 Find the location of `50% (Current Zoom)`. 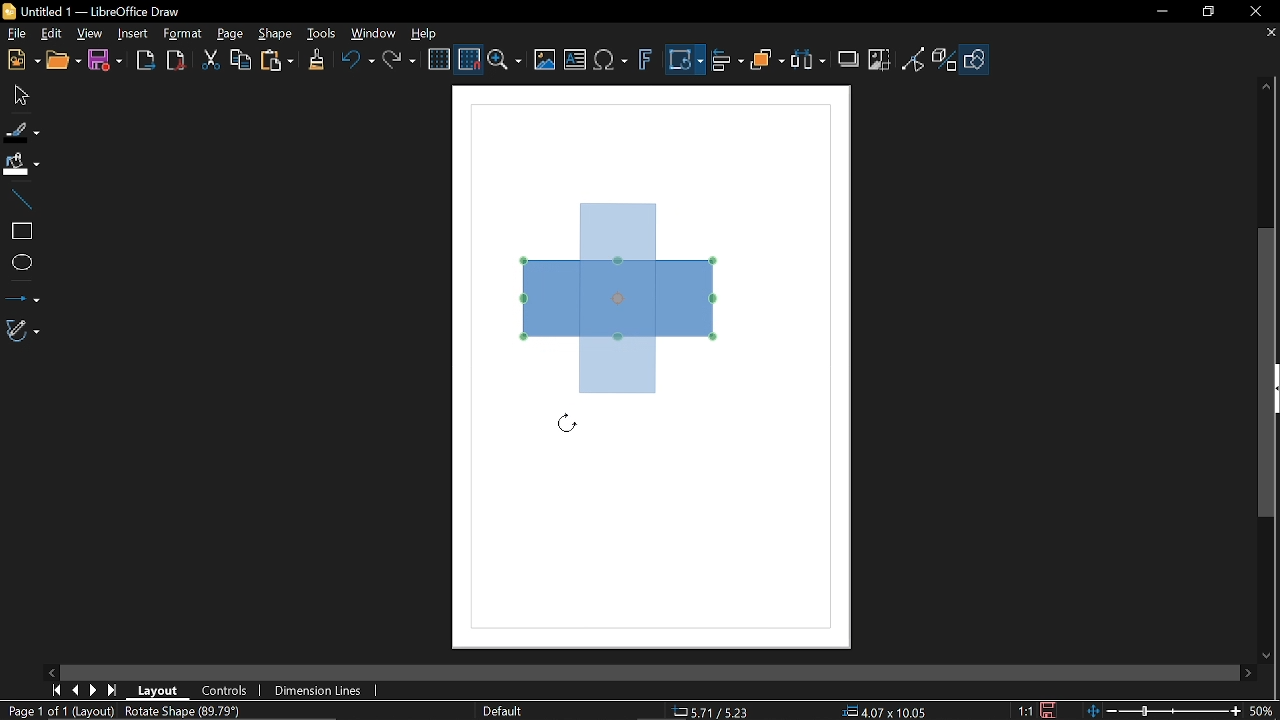

50% (Current Zoom) is located at coordinates (1265, 709).